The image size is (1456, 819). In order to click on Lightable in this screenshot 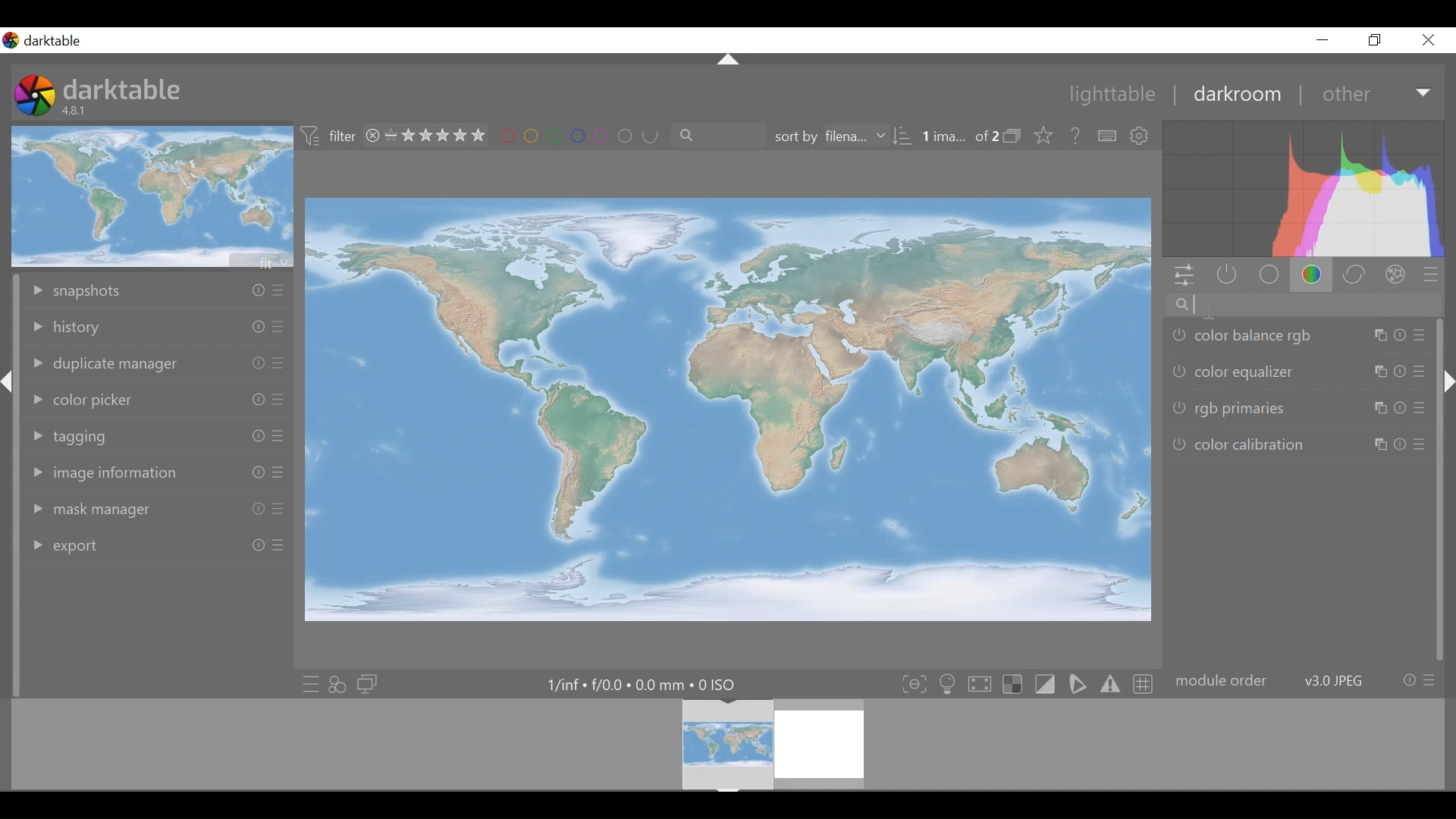, I will do `click(1105, 93)`.